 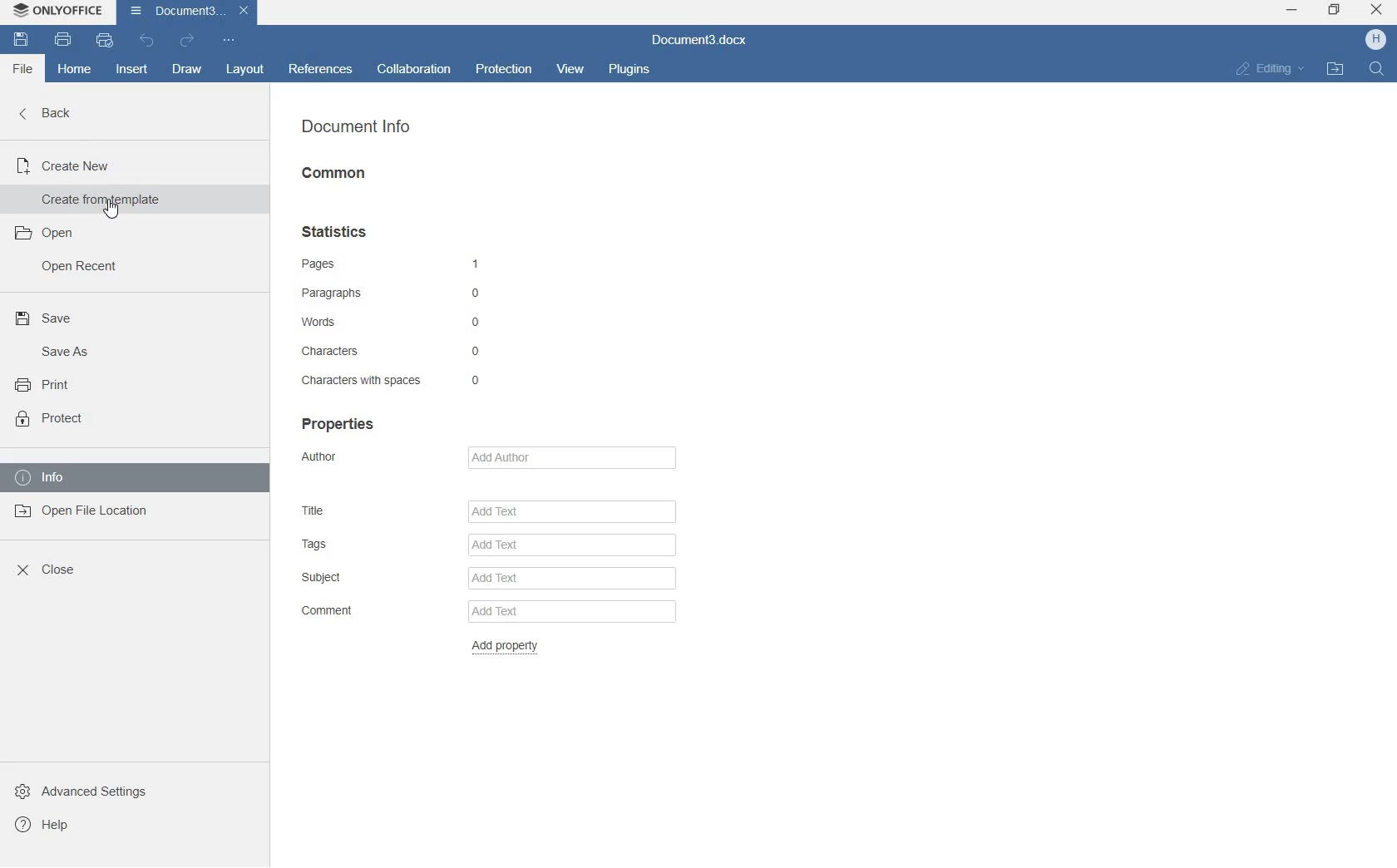 I want to click on protection, so click(x=505, y=68).